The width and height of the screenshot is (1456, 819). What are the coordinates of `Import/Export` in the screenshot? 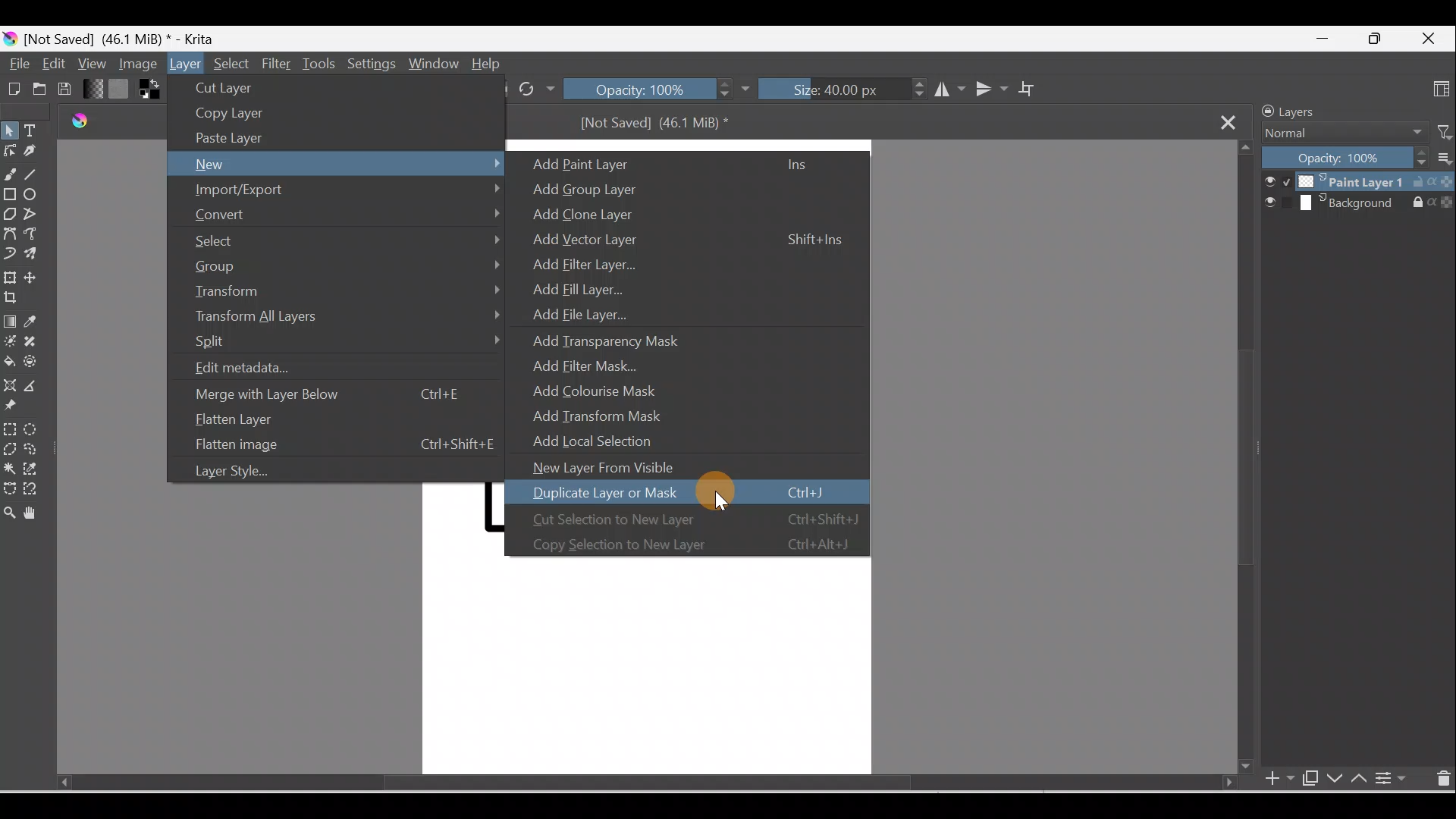 It's located at (336, 190).